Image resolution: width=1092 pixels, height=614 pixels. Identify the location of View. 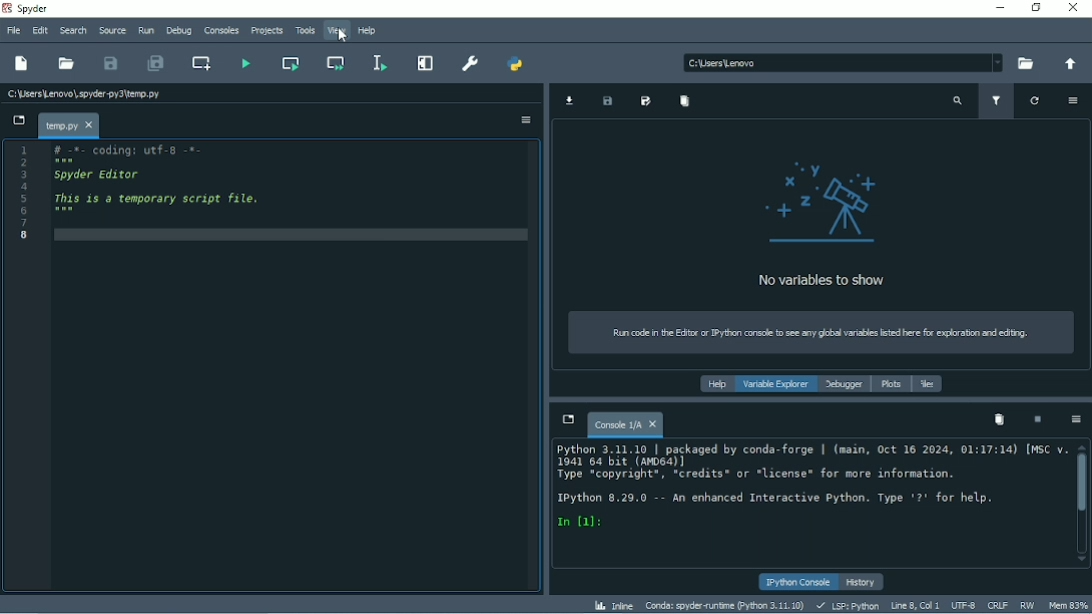
(337, 31).